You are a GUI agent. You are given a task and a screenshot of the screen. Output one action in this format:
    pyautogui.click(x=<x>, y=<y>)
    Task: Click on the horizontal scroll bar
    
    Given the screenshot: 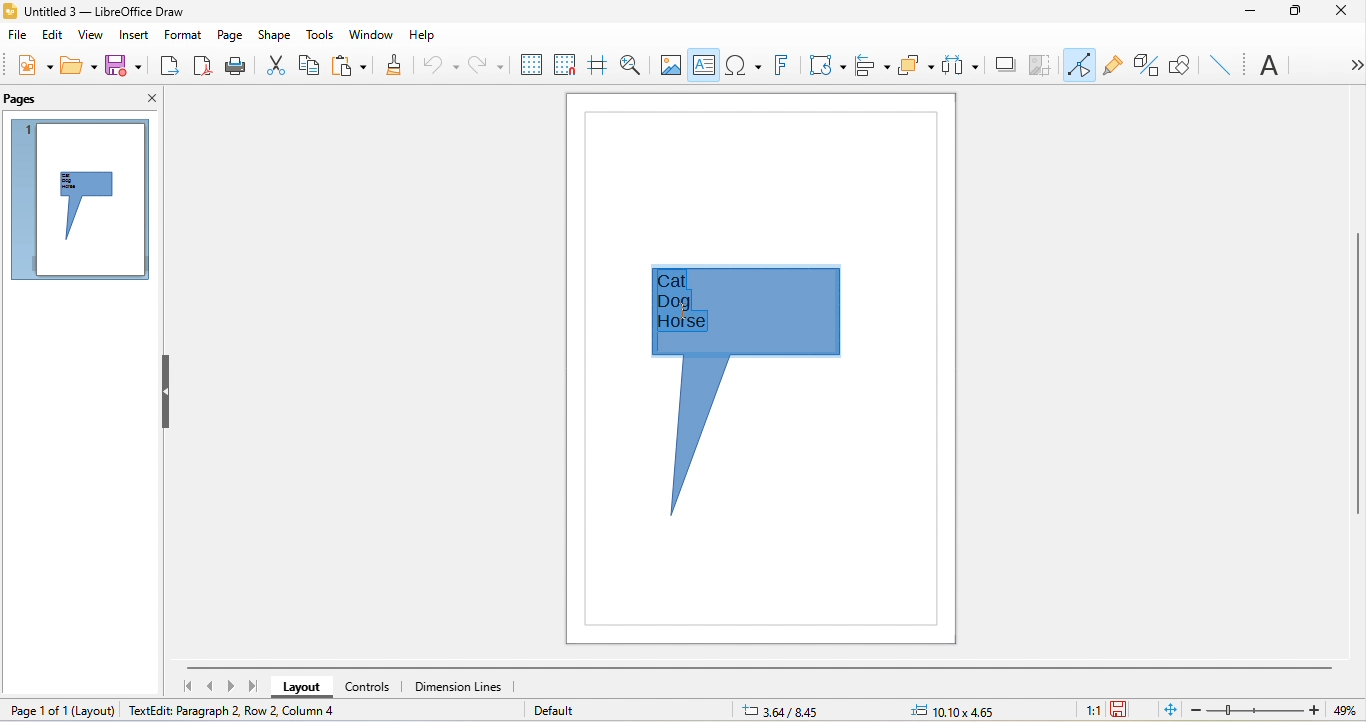 What is the action you would take?
    pyautogui.click(x=762, y=666)
    